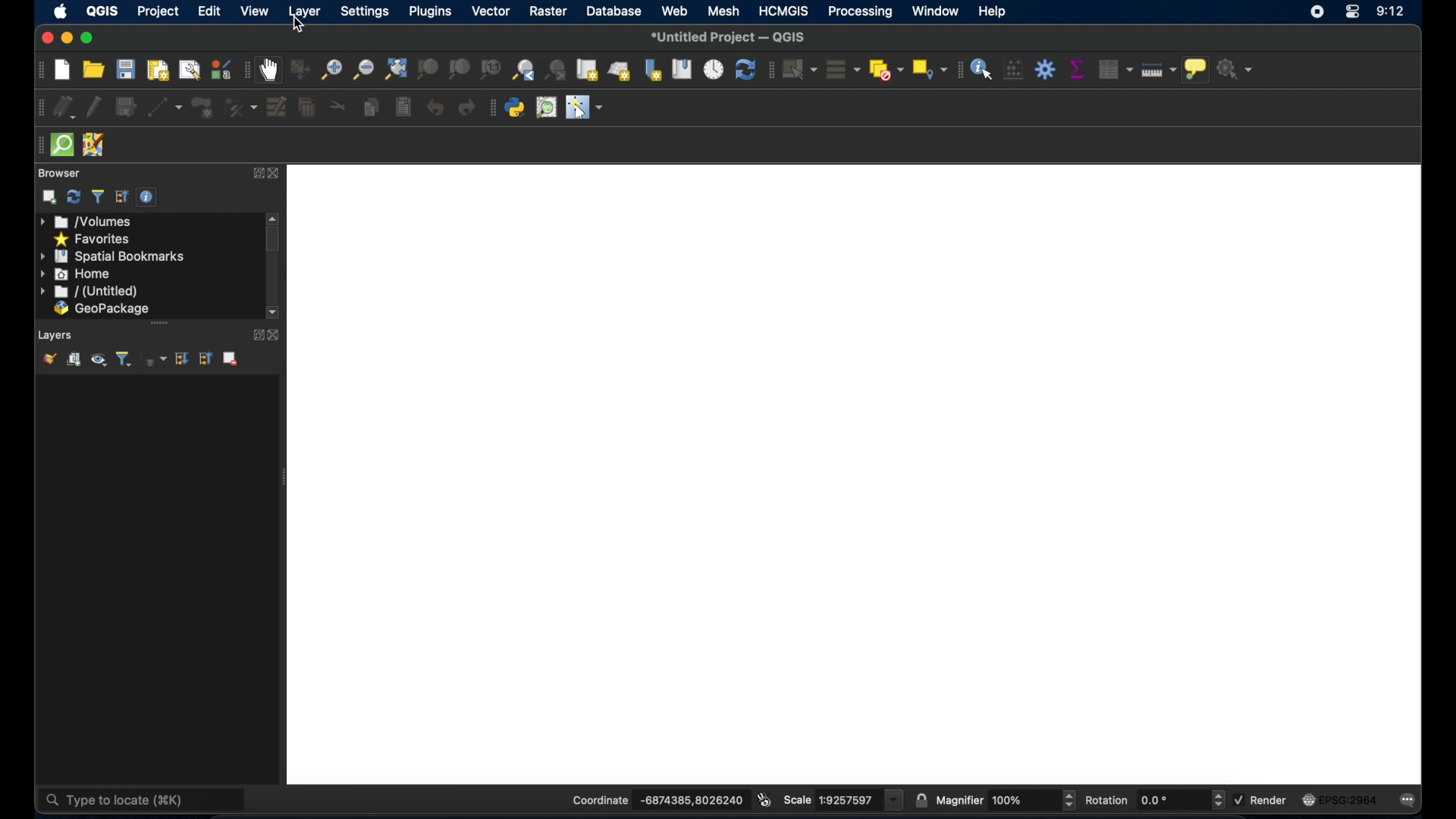 This screenshot has height=819, width=1456. I want to click on expand, so click(256, 173).